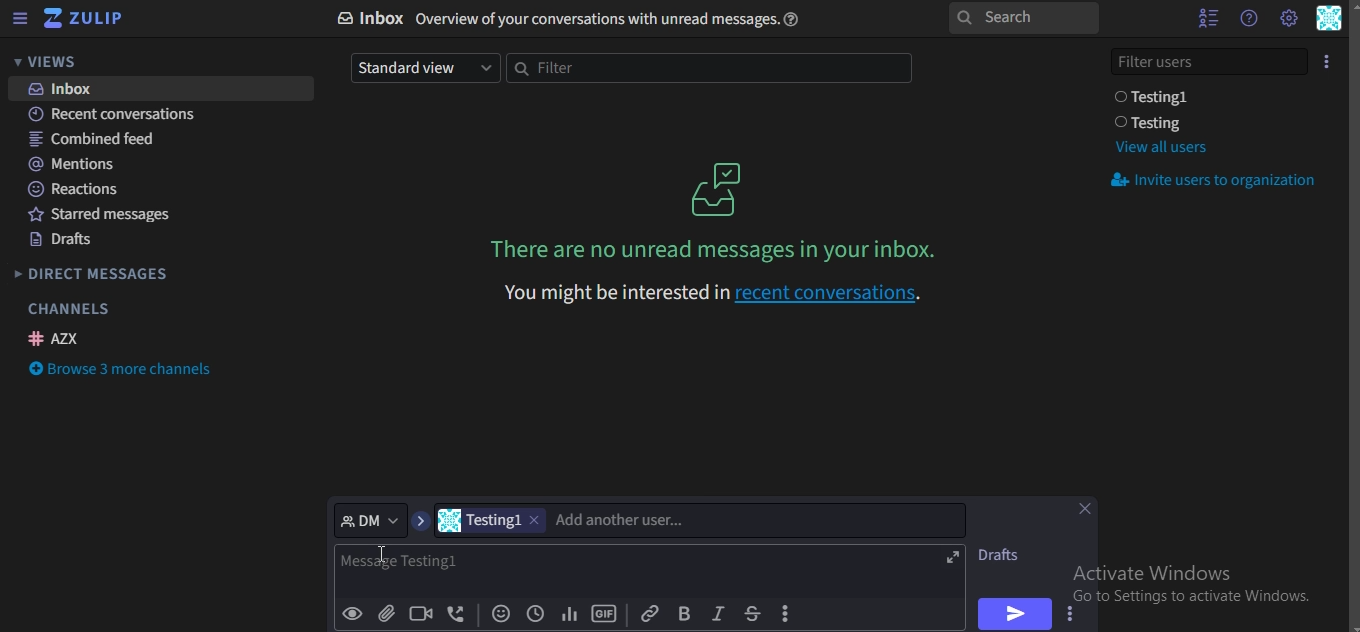 The height and width of the screenshot is (632, 1360). Describe the element at coordinates (461, 567) in the screenshot. I see `message testing1` at that location.